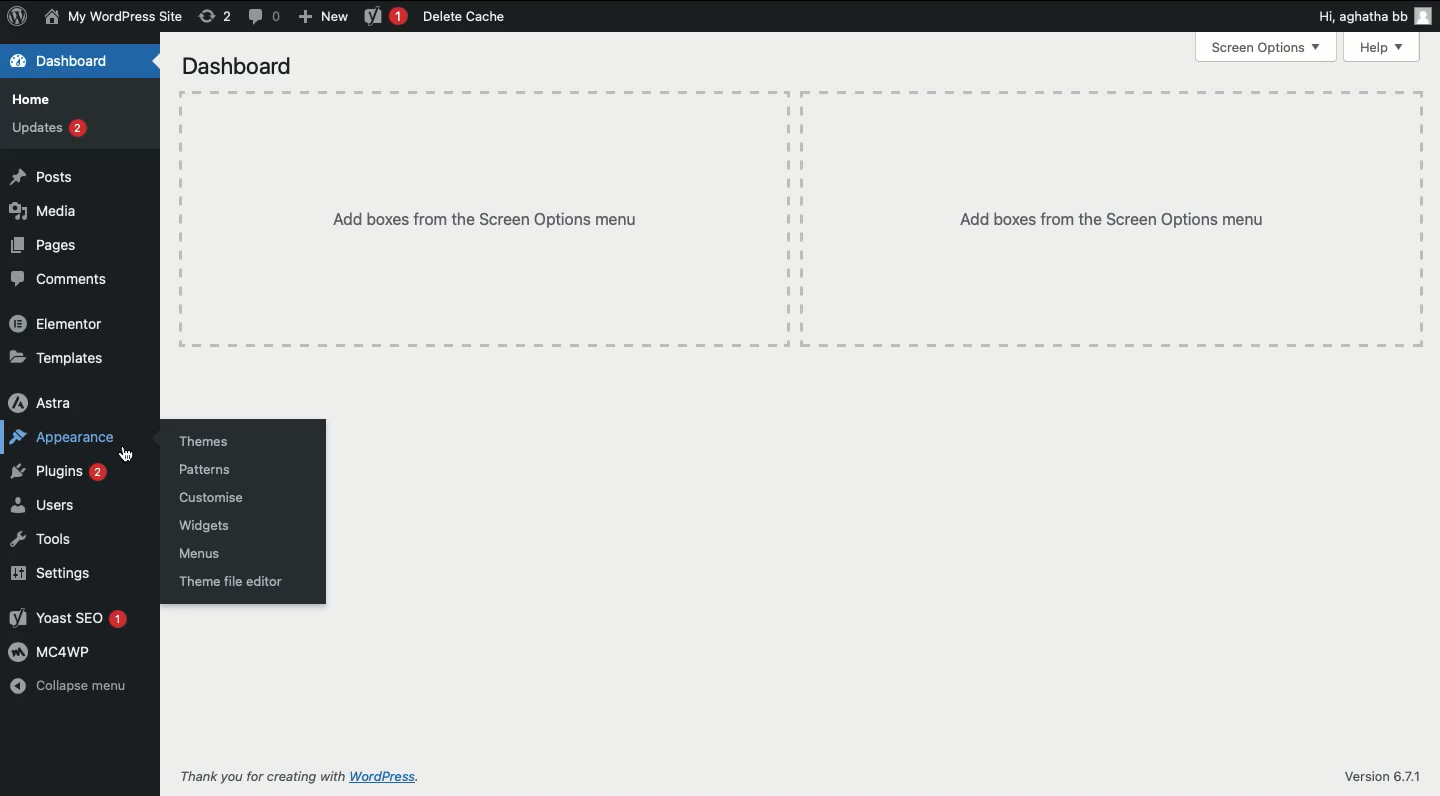  What do you see at coordinates (472, 198) in the screenshot?
I see `Add boxes from the Screen Options menu` at bounding box center [472, 198].